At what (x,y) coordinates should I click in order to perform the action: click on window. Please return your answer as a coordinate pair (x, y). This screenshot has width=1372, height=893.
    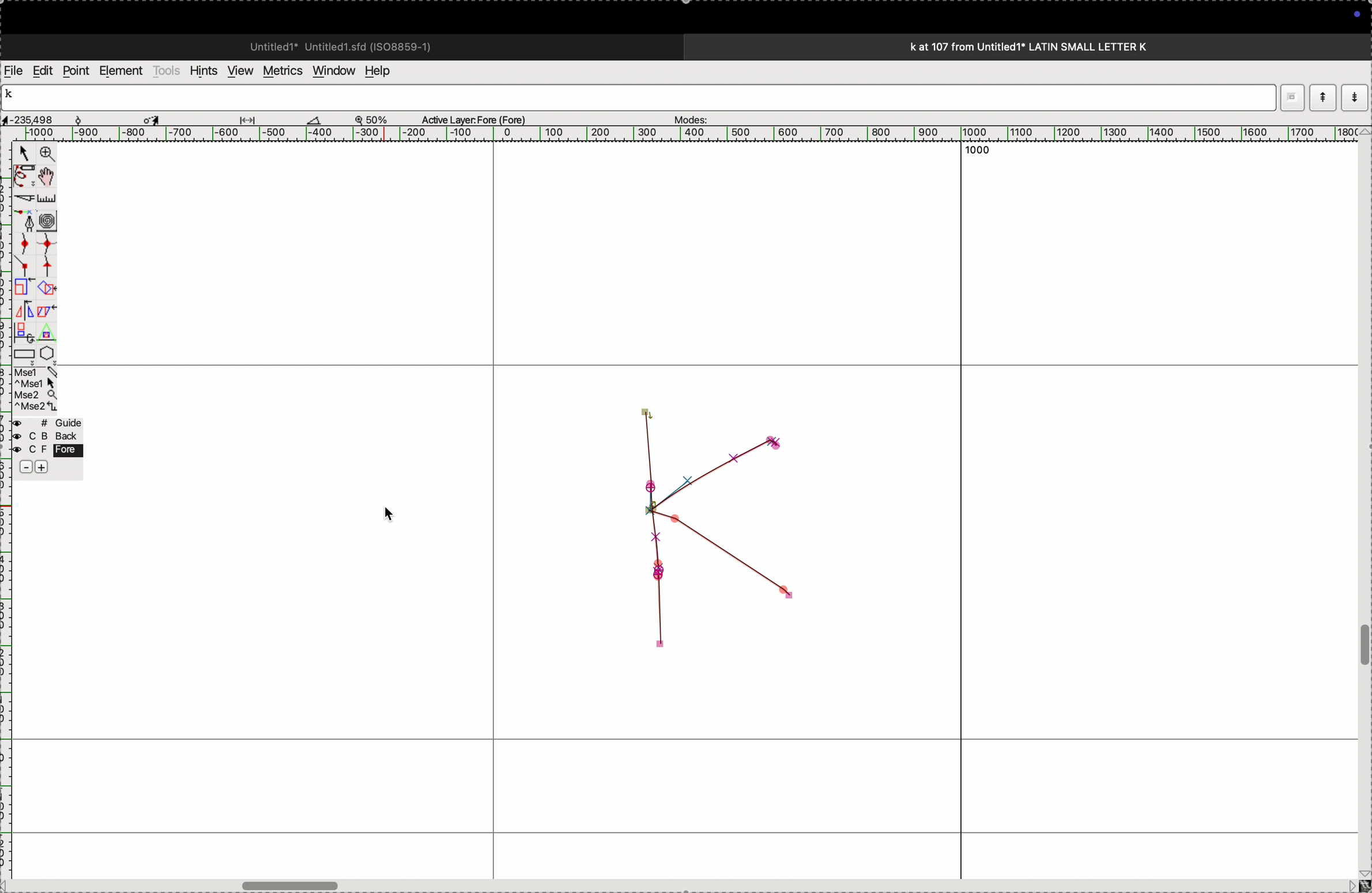
    Looking at the image, I should click on (331, 70).